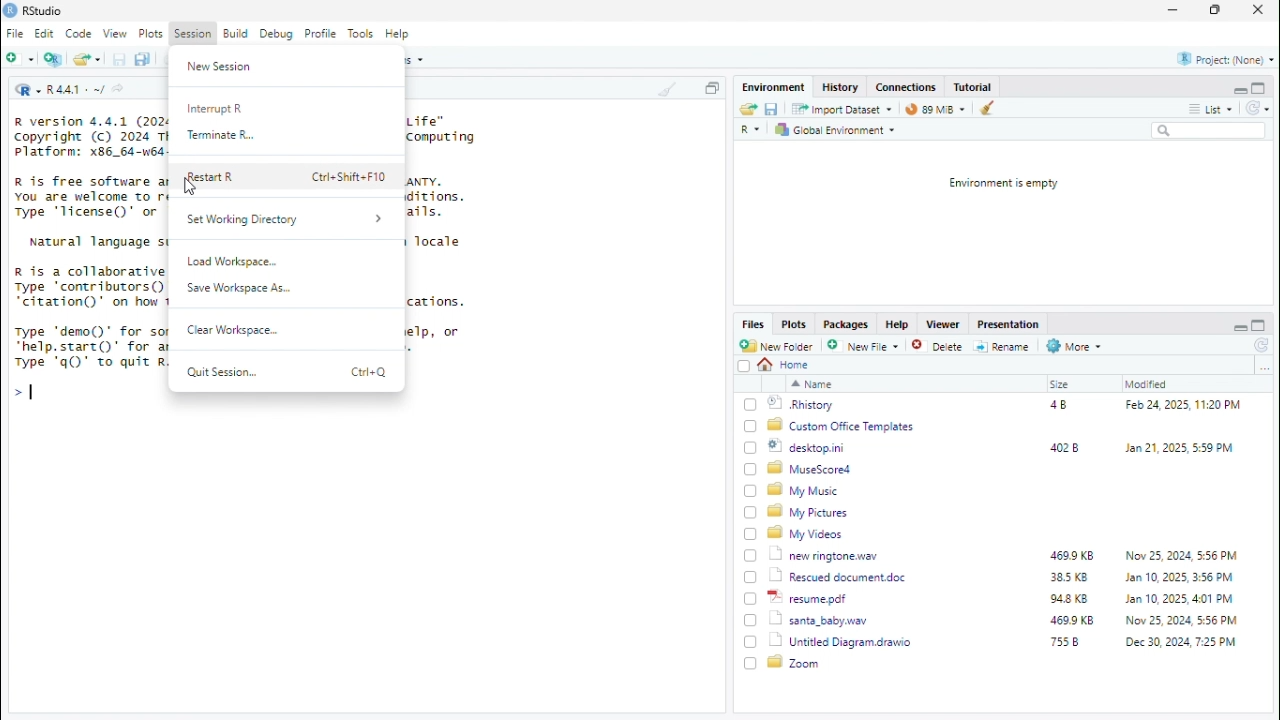  I want to click on Checkbox, so click(751, 578).